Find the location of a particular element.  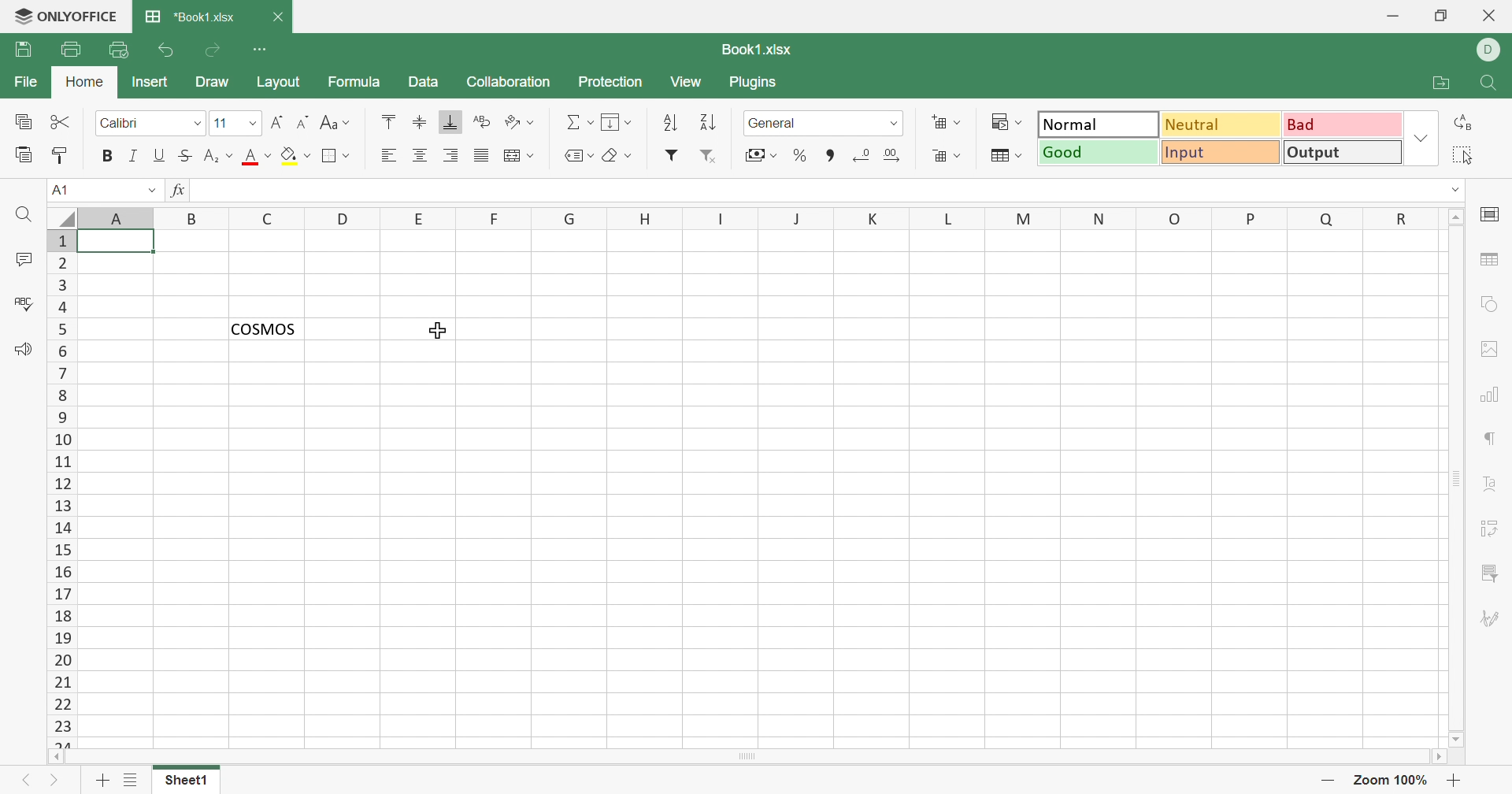

Paste is located at coordinates (22, 156).